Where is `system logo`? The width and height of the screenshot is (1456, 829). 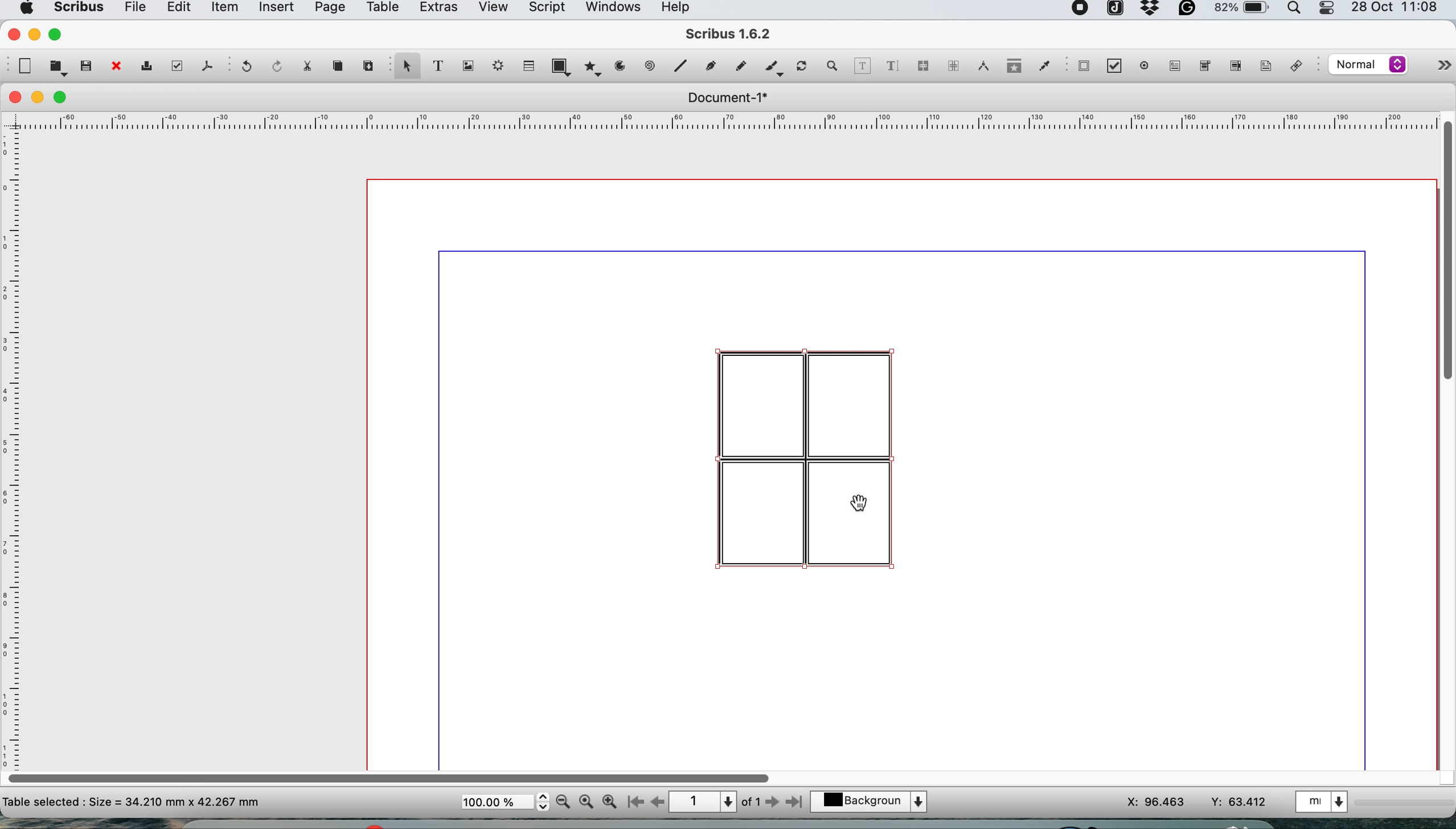 system logo is located at coordinates (24, 9).